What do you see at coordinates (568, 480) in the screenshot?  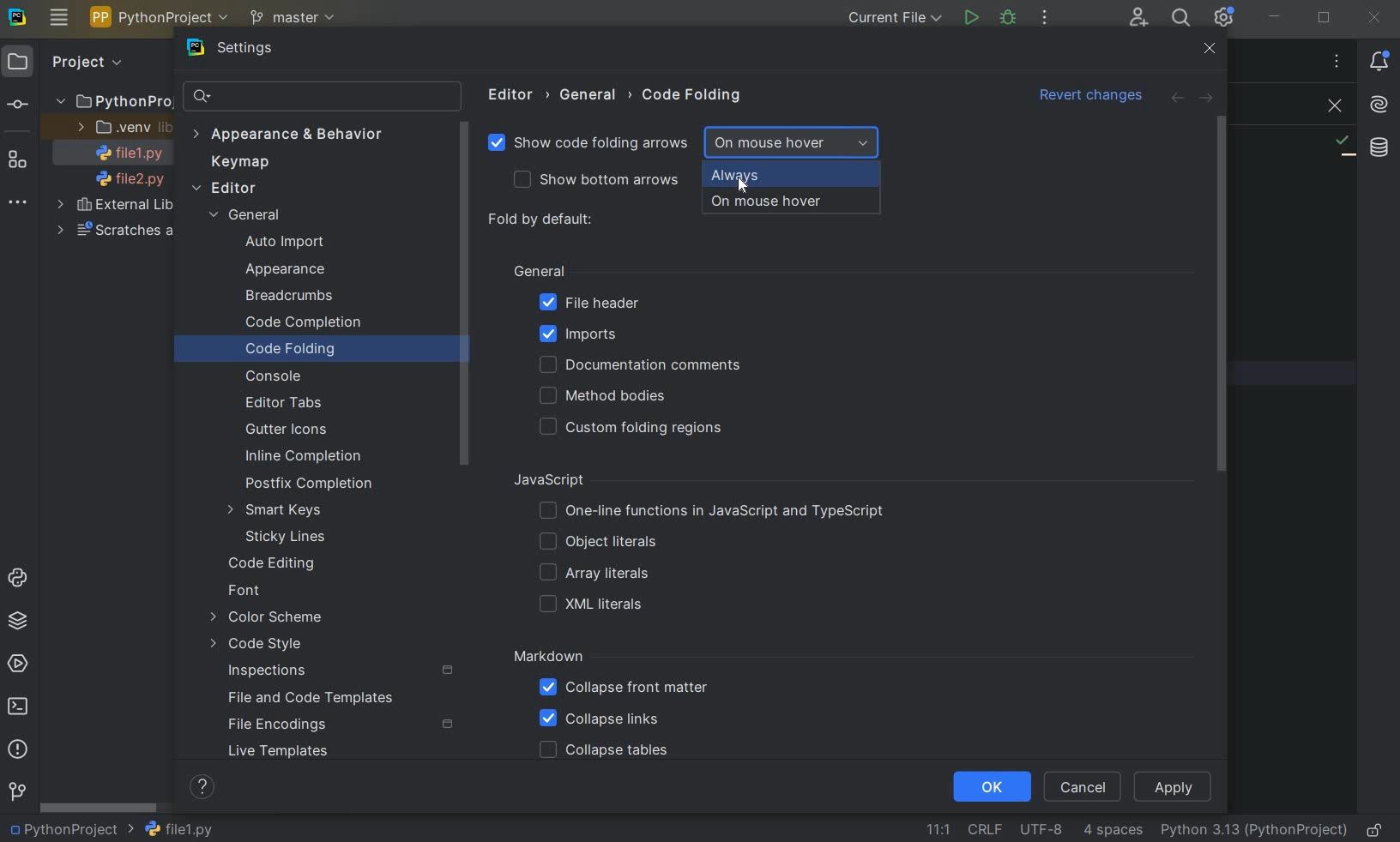 I see `JAVASCRIPT` at bounding box center [568, 480].